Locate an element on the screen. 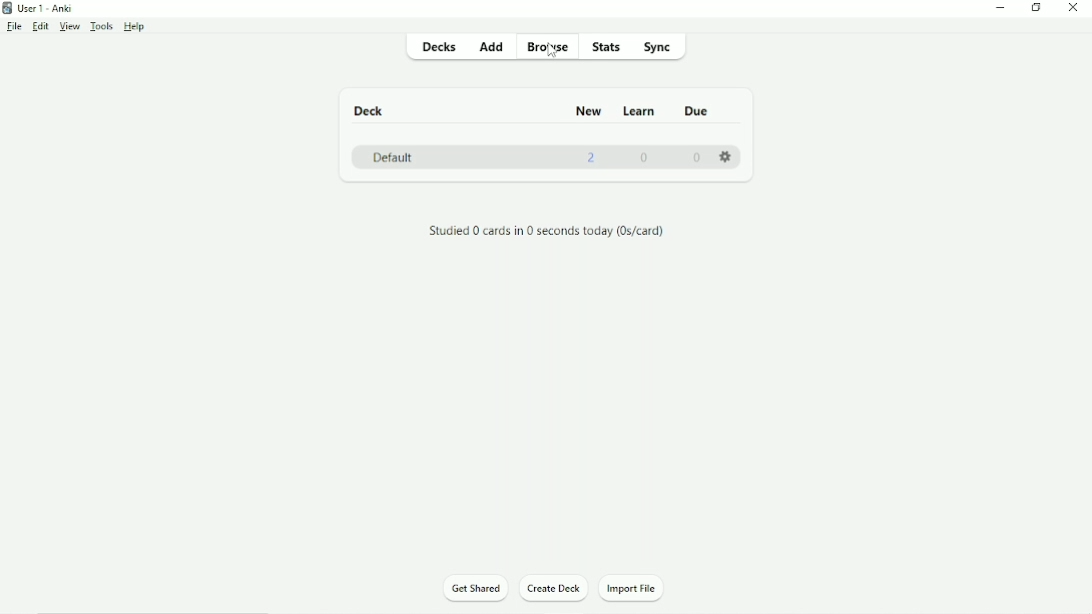 Image resolution: width=1092 pixels, height=614 pixels. Stats is located at coordinates (609, 46).